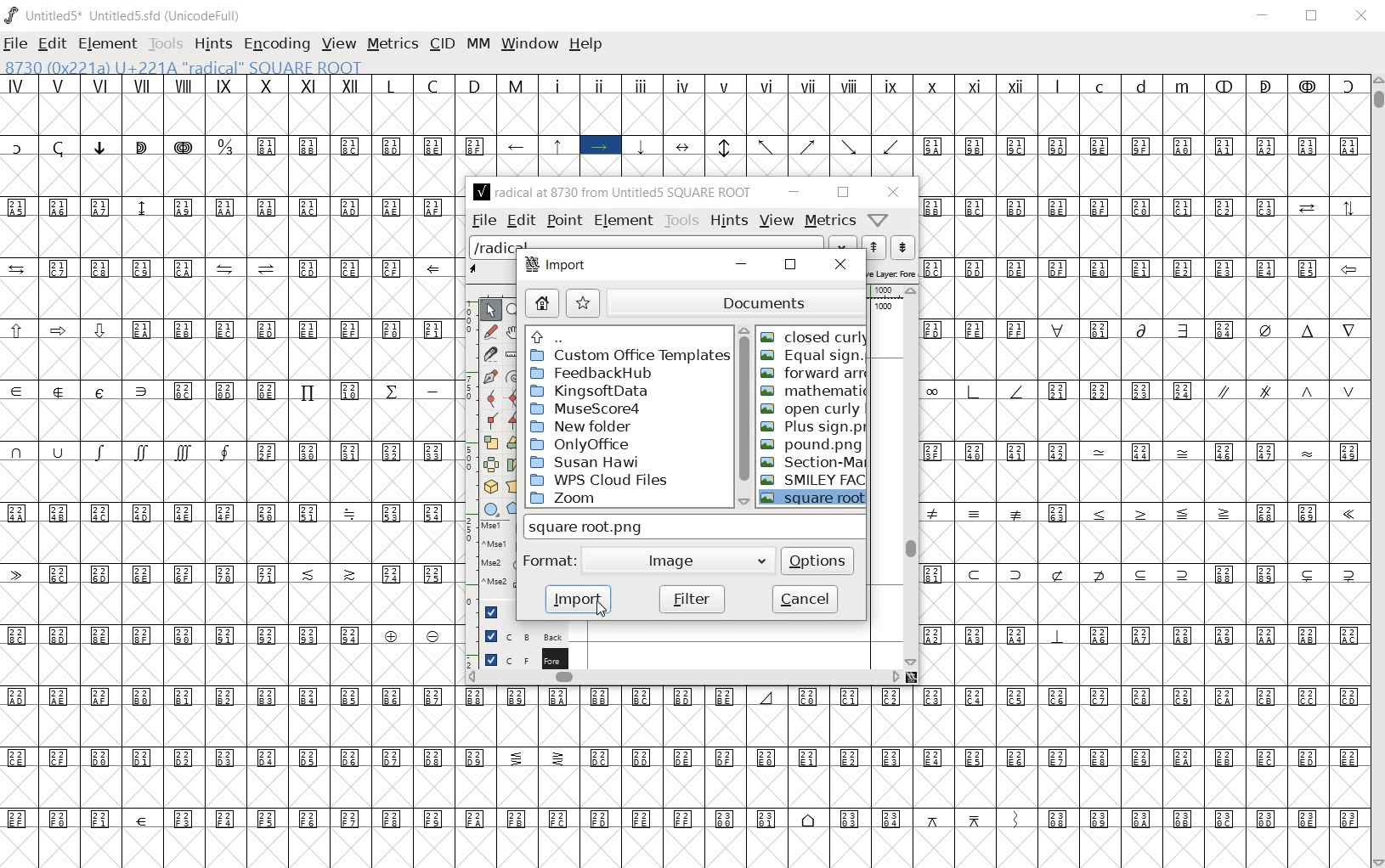 The image size is (1385, 868). What do you see at coordinates (630, 355) in the screenshot?
I see `Custom Office Templates` at bounding box center [630, 355].